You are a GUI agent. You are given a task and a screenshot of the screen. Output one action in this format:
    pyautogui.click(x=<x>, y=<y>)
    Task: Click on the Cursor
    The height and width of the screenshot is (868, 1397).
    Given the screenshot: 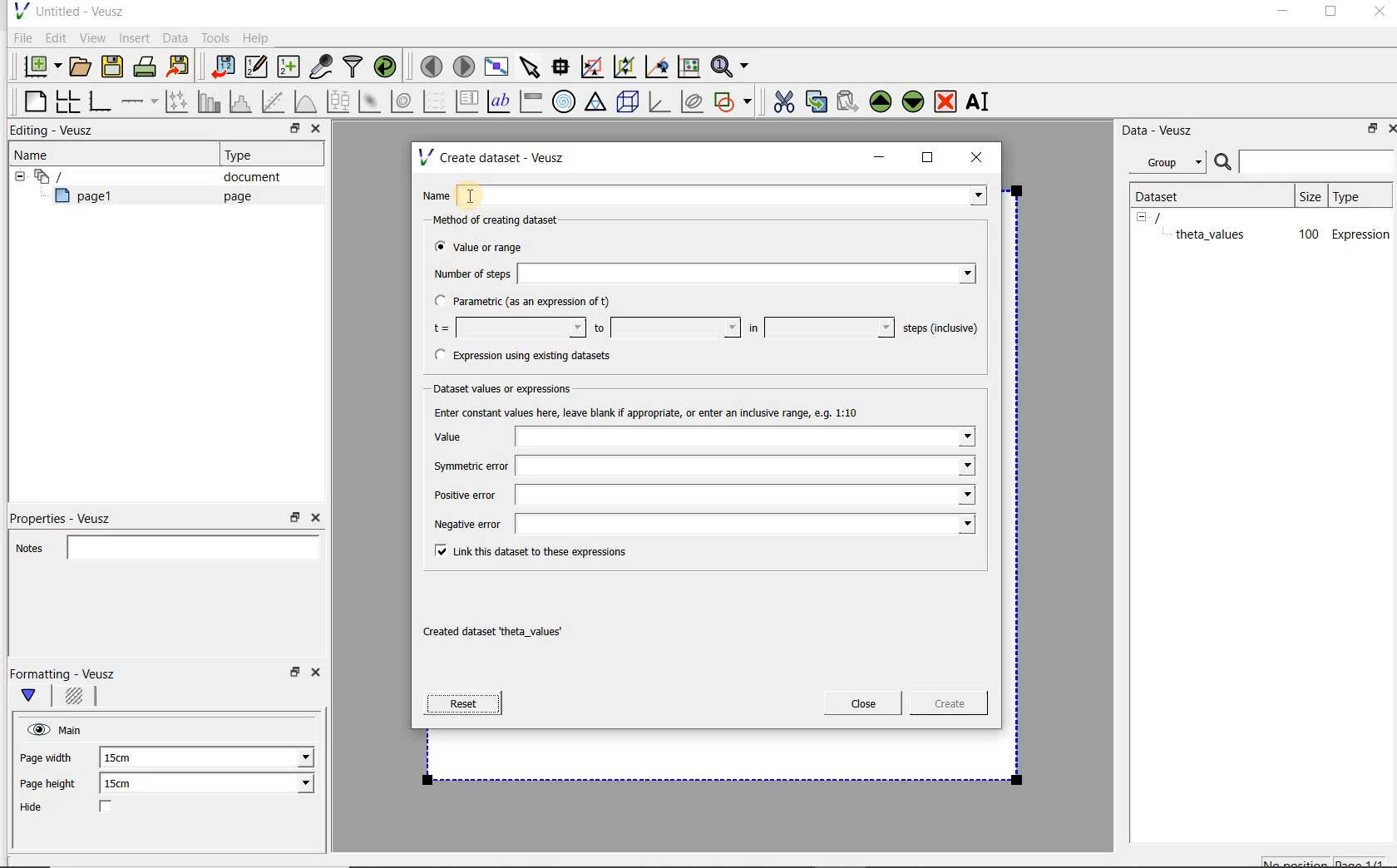 What is the action you would take?
    pyautogui.click(x=486, y=190)
    